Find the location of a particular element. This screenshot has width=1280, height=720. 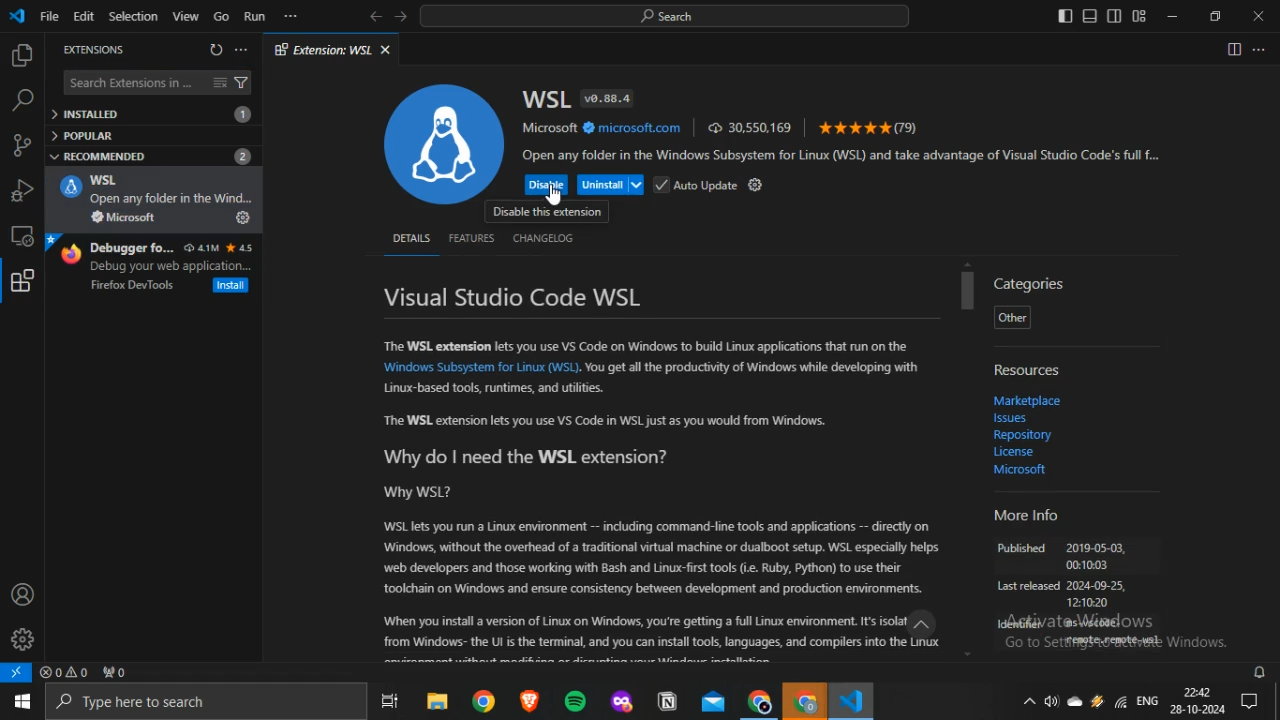

vscode icon is located at coordinates (18, 17).